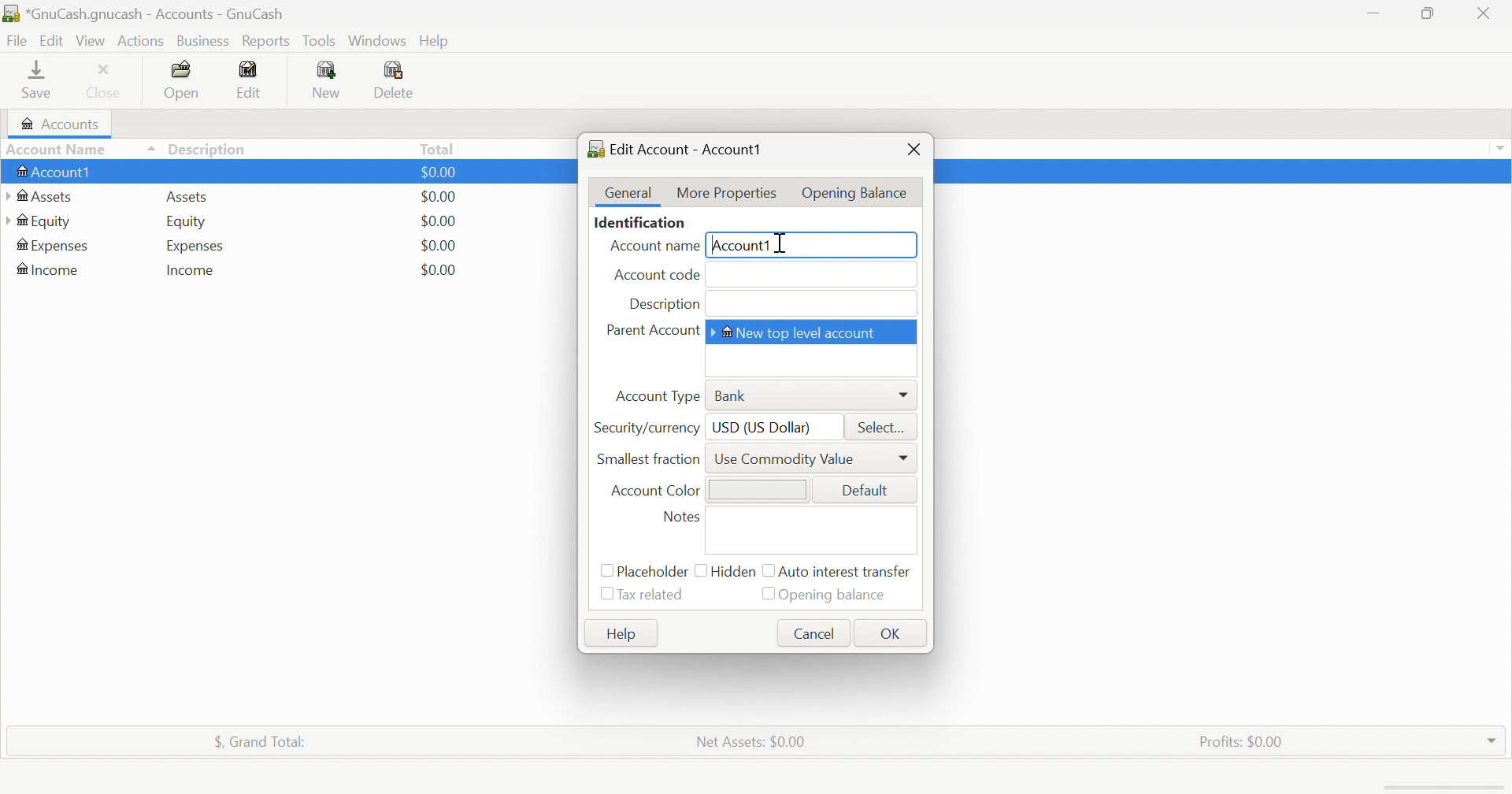 This screenshot has width=1512, height=794. What do you see at coordinates (639, 224) in the screenshot?
I see `Identification` at bounding box center [639, 224].